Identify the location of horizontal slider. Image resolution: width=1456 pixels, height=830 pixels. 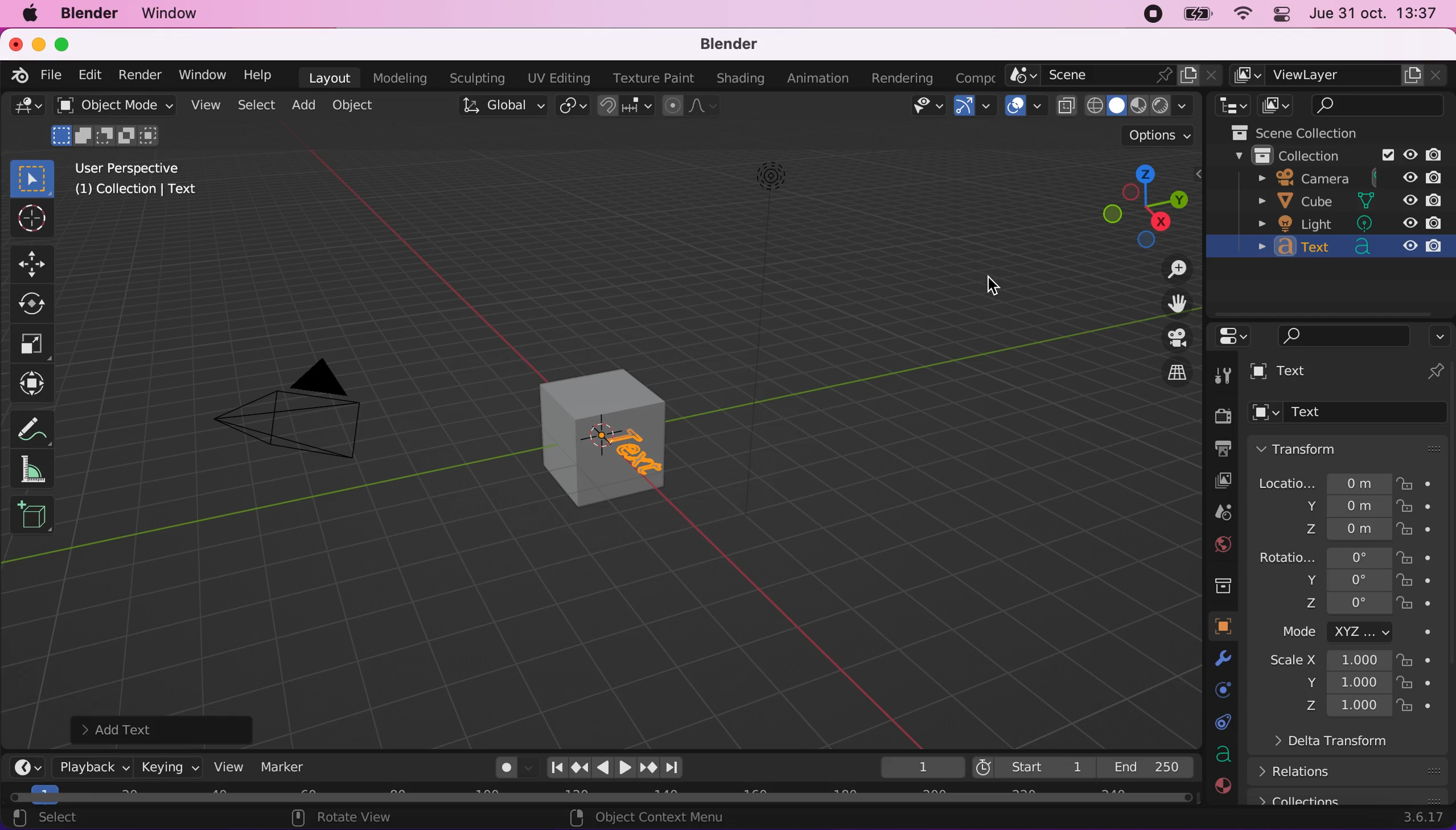
(602, 798).